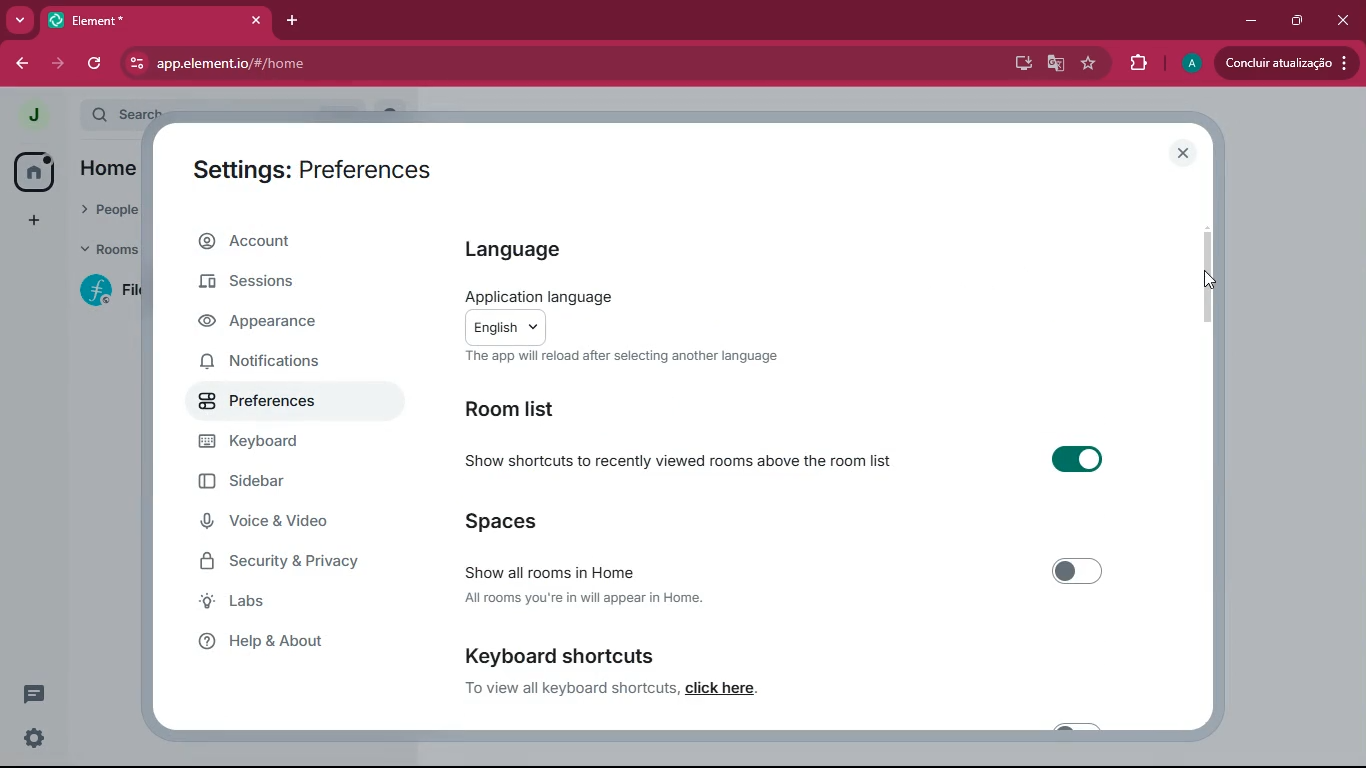 This screenshot has height=768, width=1366. What do you see at coordinates (270, 642) in the screenshot?
I see `help & about` at bounding box center [270, 642].